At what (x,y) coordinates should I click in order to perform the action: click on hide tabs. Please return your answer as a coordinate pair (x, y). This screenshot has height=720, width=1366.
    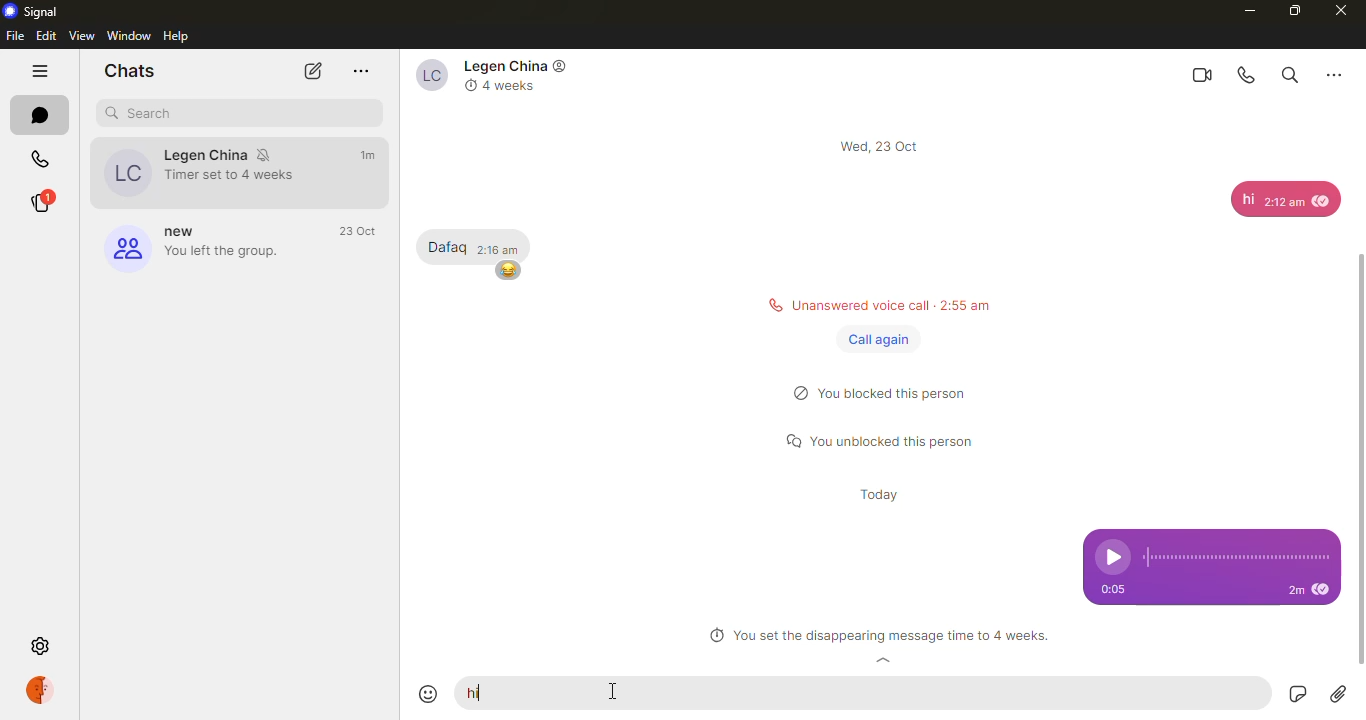
    Looking at the image, I should click on (40, 73).